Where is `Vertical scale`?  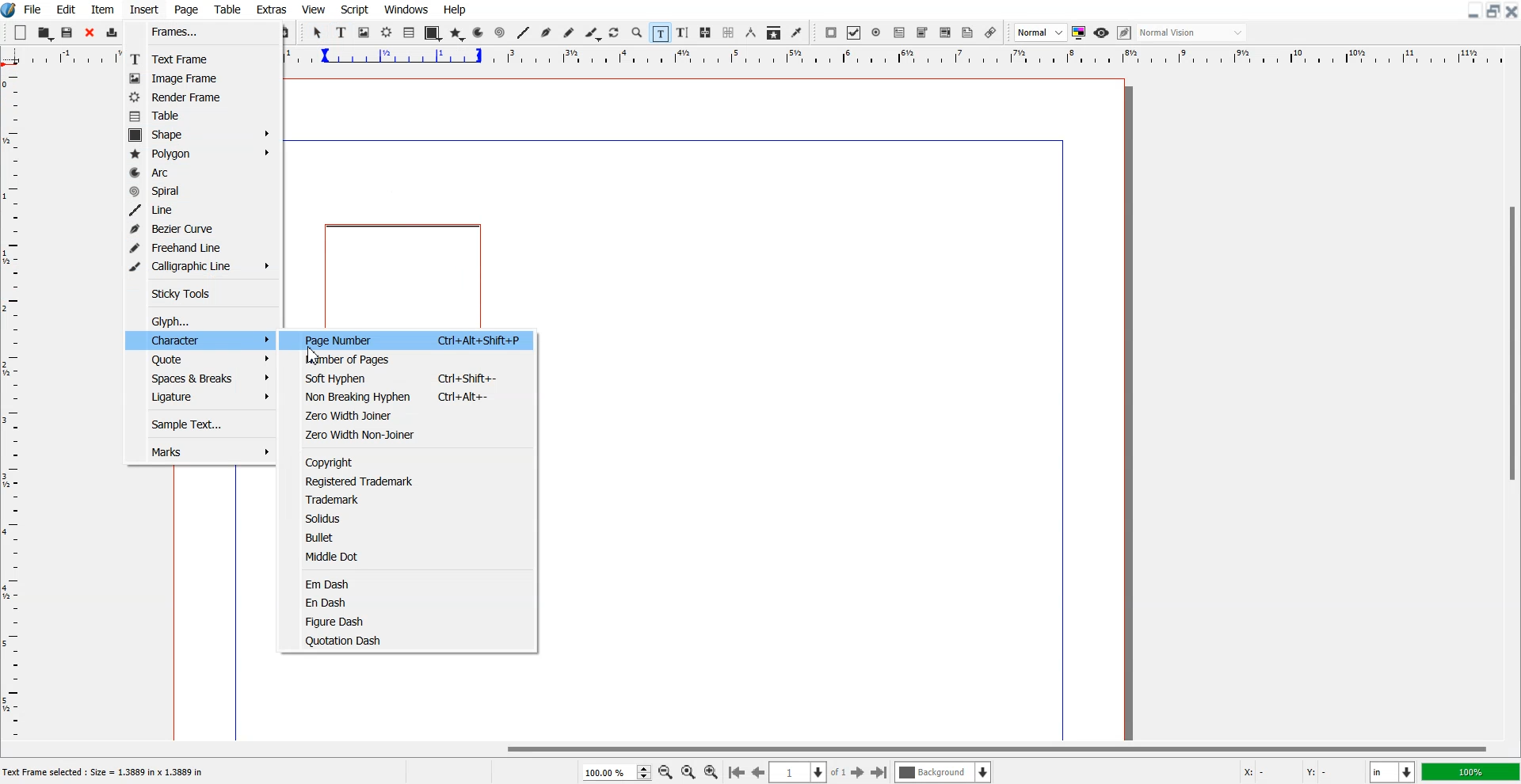 Vertical scale is located at coordinates (11, 405).